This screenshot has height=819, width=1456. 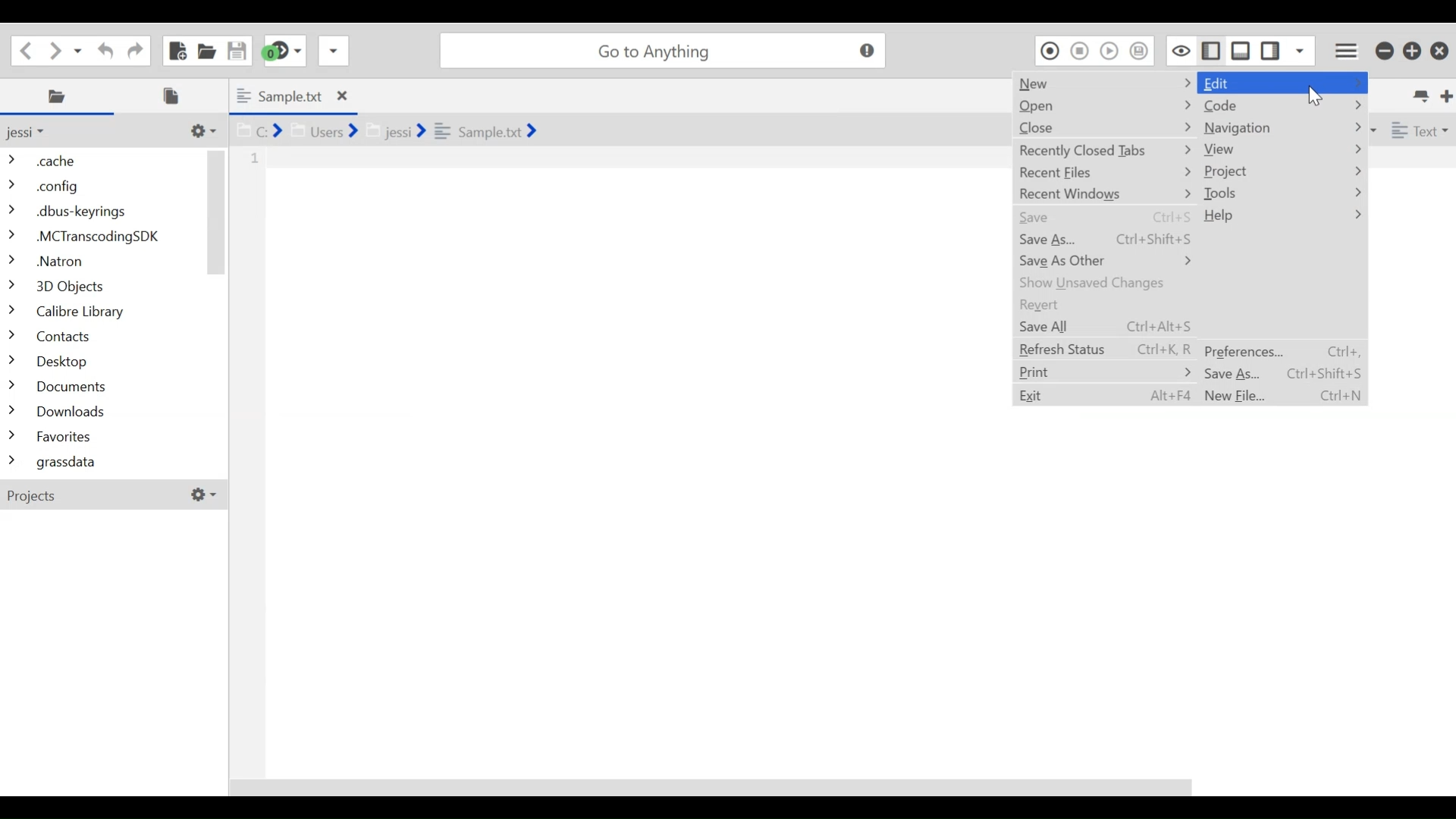 I want to click on Preferences, so click(x=1281, y=351).